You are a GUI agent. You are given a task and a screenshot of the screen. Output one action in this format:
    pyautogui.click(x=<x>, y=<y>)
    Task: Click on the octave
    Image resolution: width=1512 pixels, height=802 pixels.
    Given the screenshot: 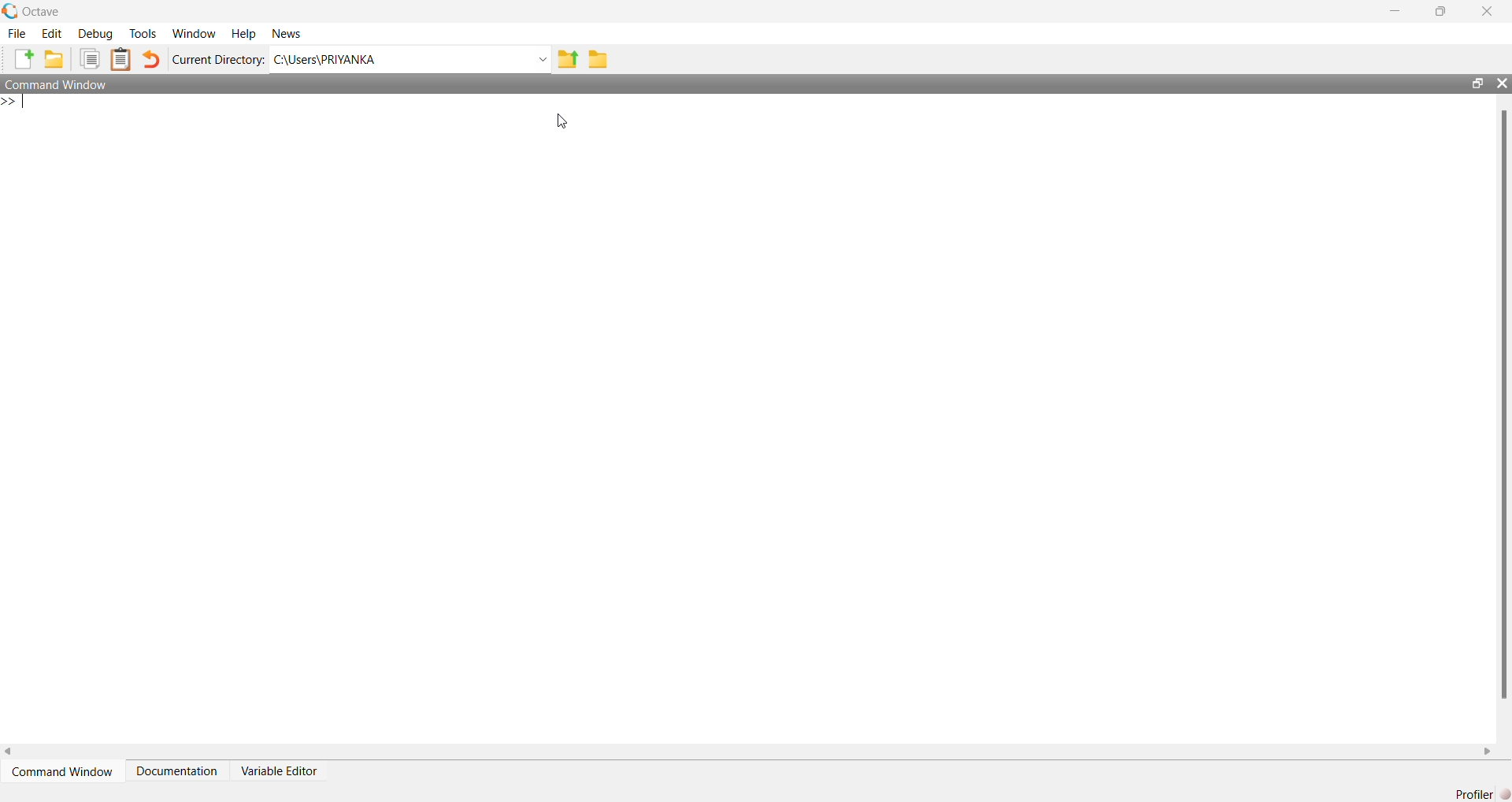 What is the action you would take?
    pyautogui.click(x=50, y=10)
    